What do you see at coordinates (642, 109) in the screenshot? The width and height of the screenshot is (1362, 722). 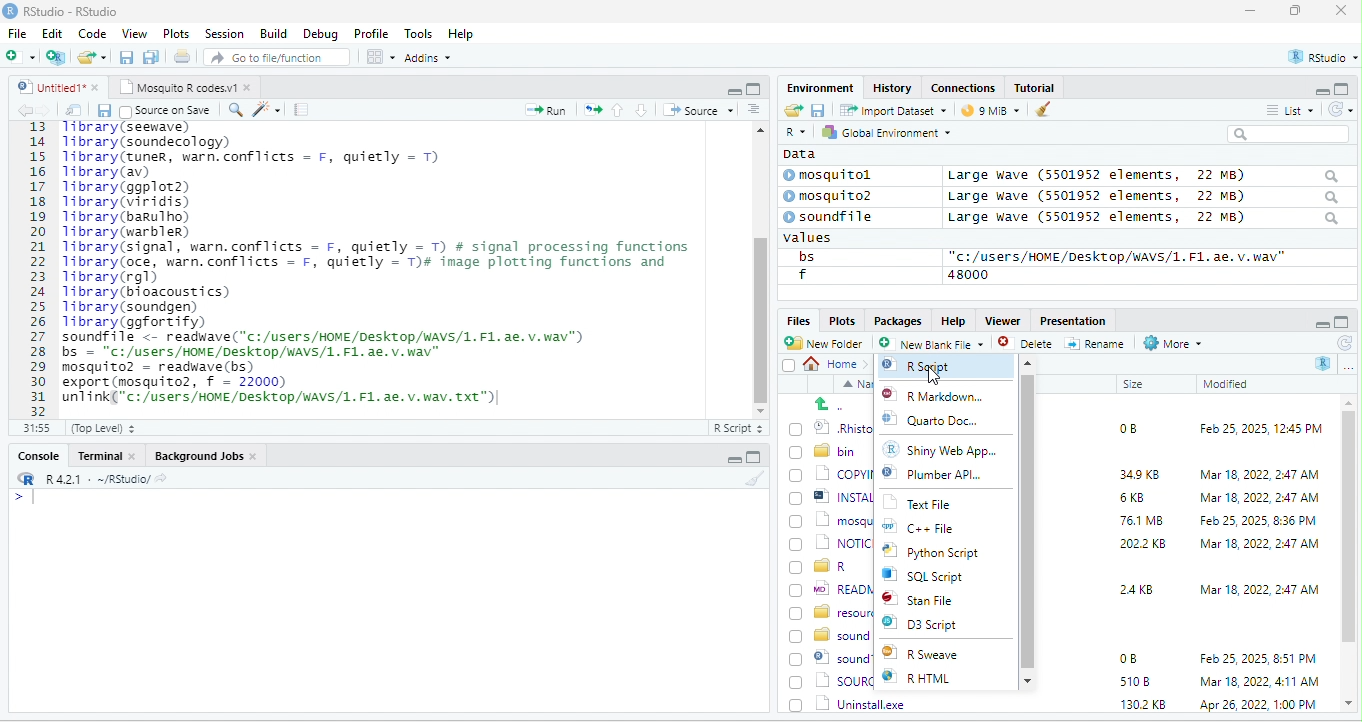 I see `down` at bounding box center [642, 109].